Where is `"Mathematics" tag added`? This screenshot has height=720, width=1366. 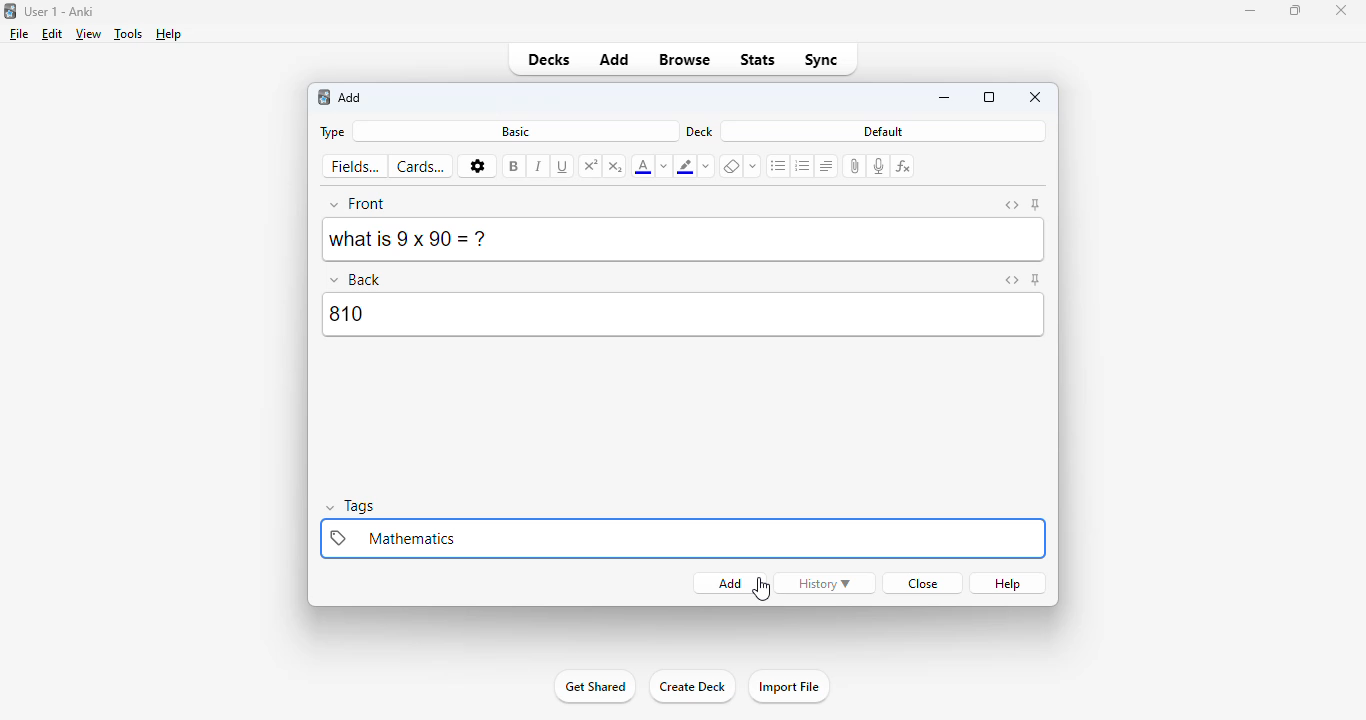 "Mathematics" tag added is located at coordinates (683, 539).